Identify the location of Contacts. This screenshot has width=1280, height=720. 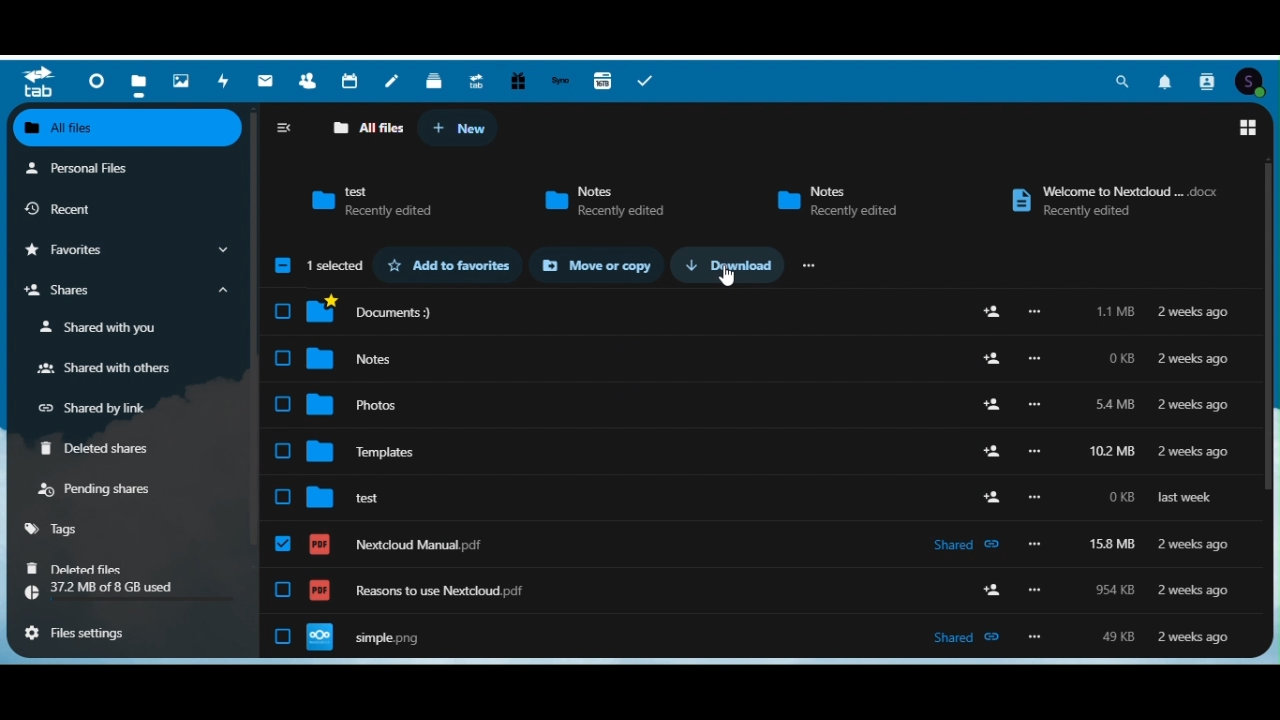
(309, 81).